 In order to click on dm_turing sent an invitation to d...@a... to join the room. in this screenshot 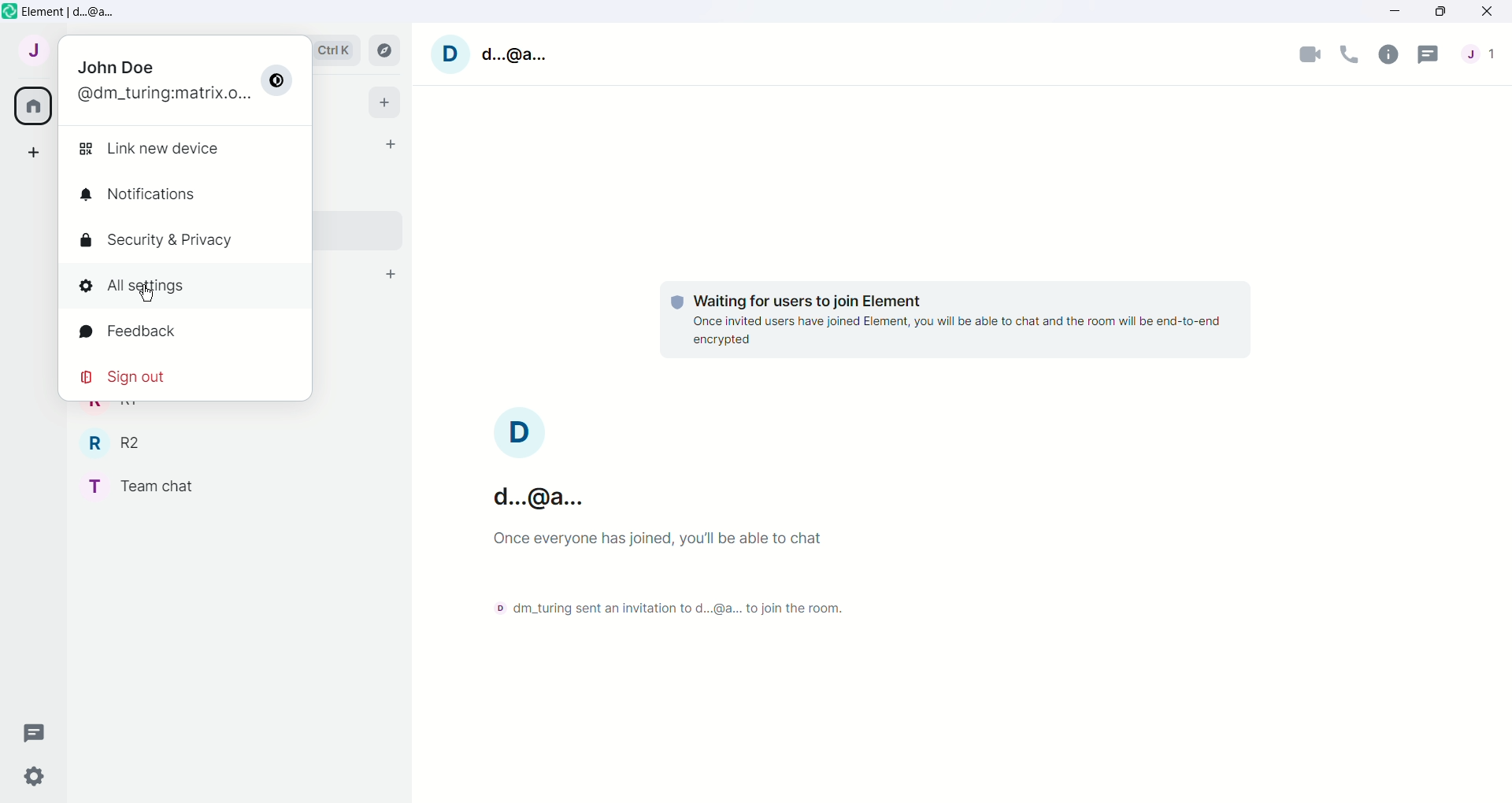, I will do `click(667, 609)`.